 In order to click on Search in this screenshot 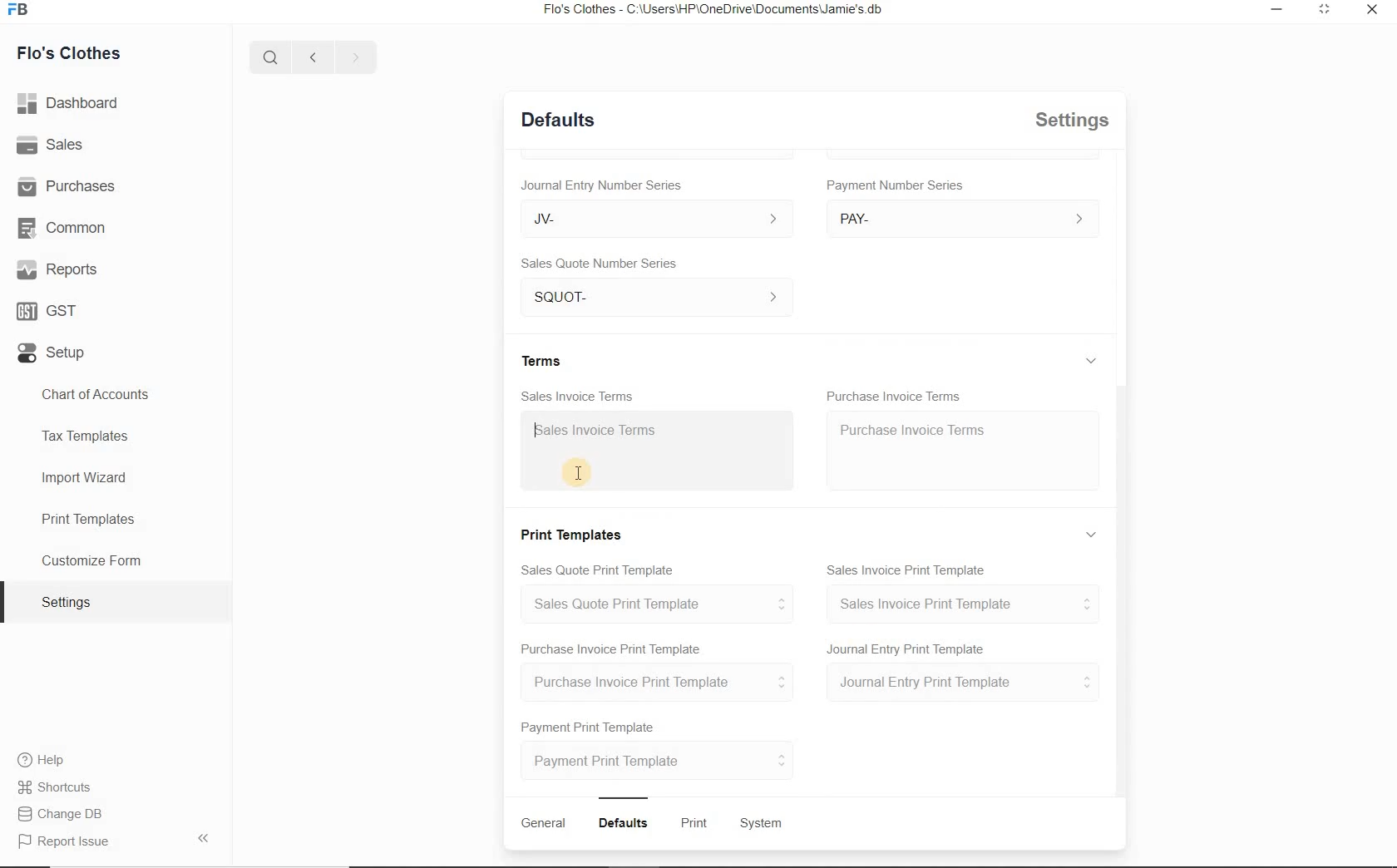, I will do `click(271, 56)`.